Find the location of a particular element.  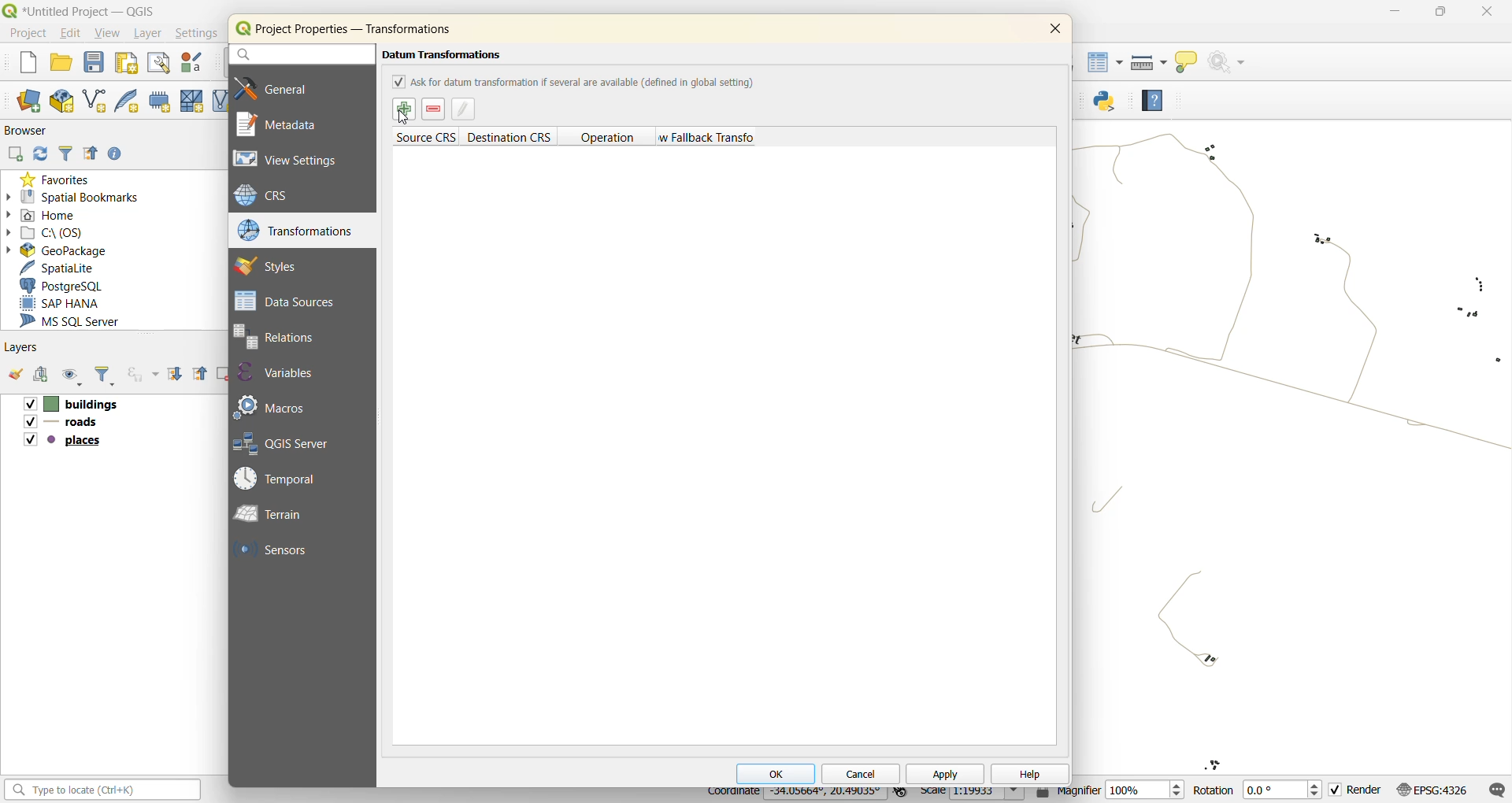

roads is located at coordinates (61, 424).